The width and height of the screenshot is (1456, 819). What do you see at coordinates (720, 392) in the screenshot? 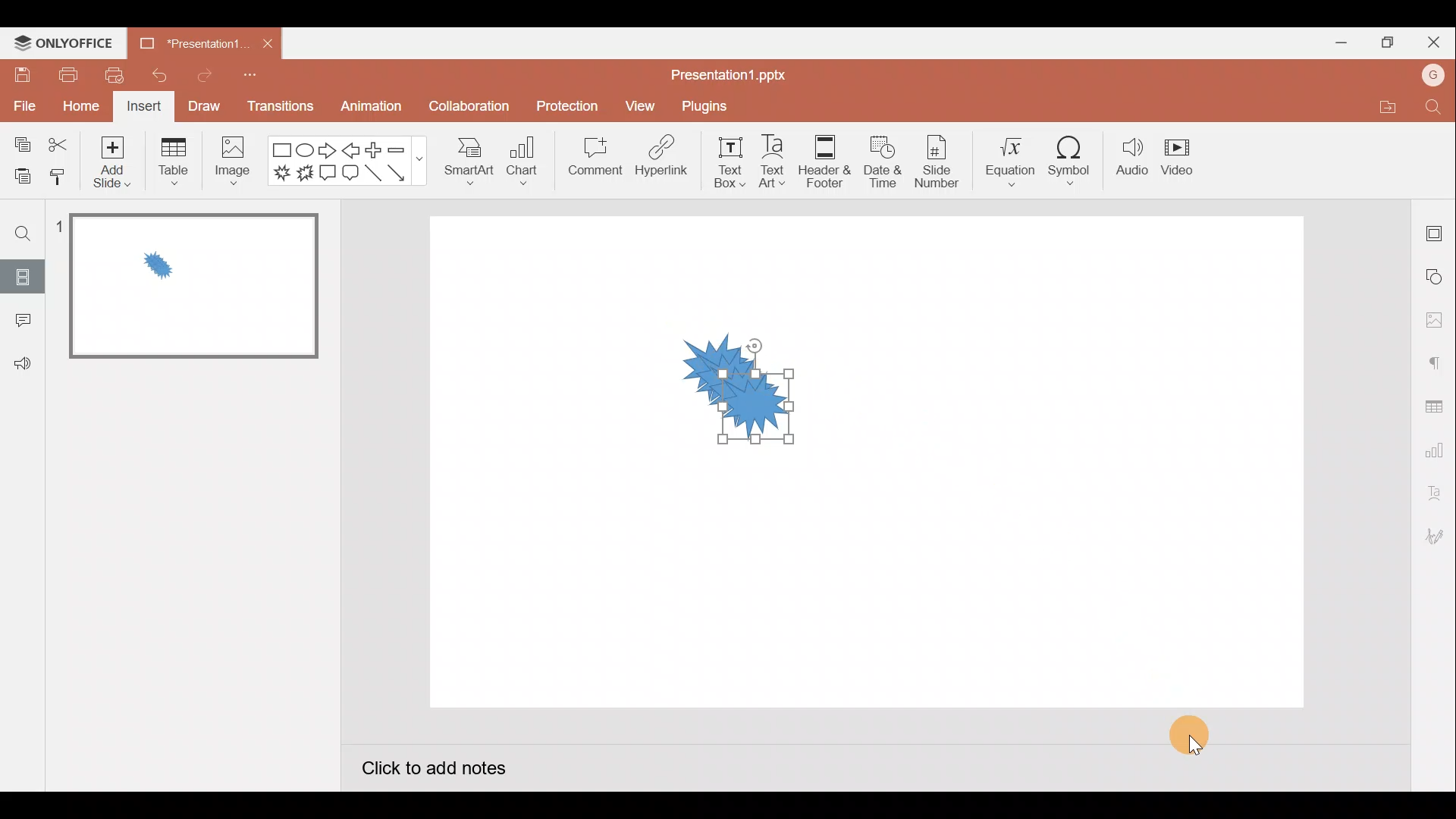
I see `shape` at bounding box center [720, 392].